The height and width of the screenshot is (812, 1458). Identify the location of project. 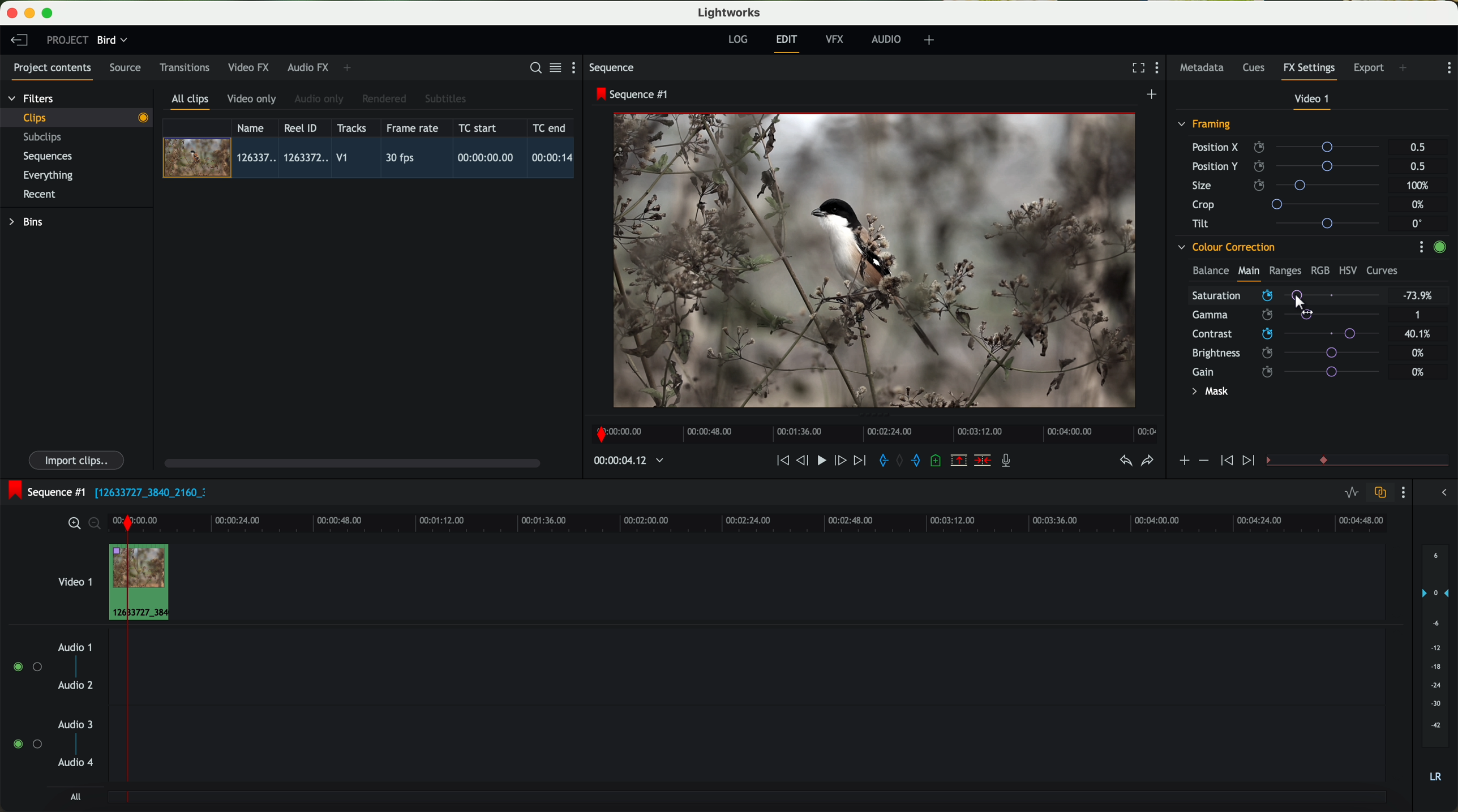
(67, 40).